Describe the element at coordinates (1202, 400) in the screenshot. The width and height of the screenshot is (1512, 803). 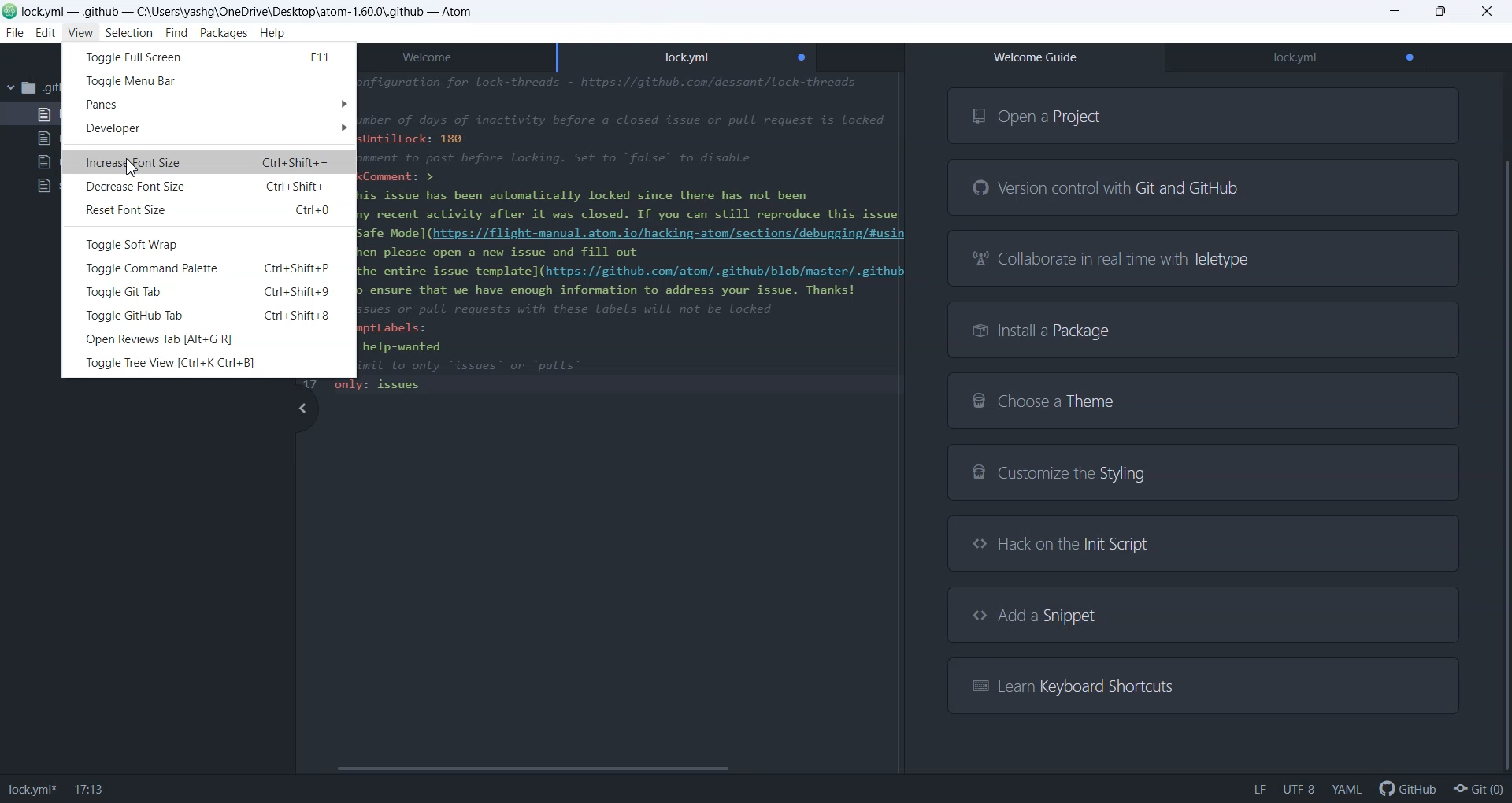
I see `Choose a Theme` at that location.